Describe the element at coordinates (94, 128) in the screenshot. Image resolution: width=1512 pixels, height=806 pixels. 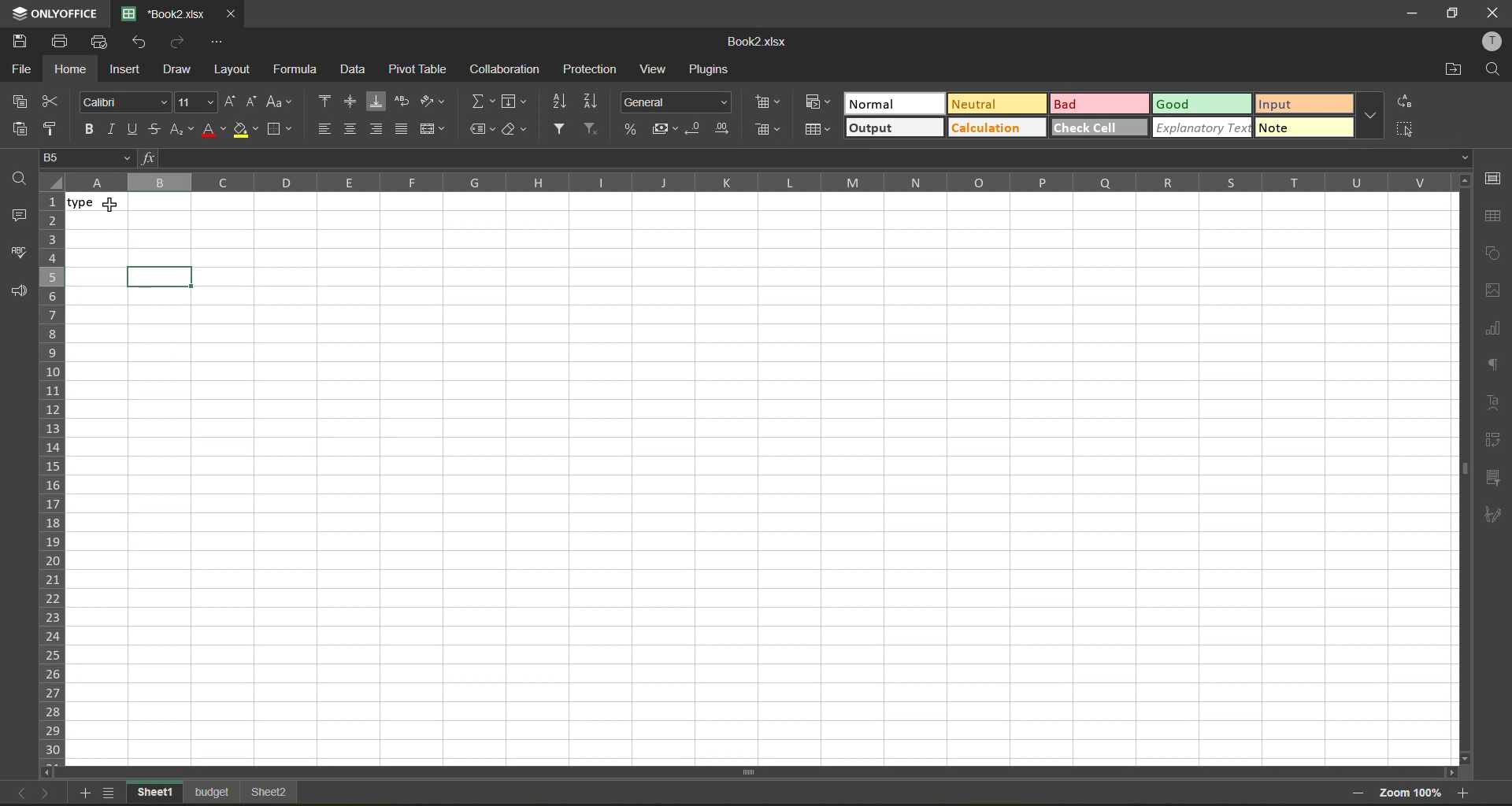
I see `bold` at that location.